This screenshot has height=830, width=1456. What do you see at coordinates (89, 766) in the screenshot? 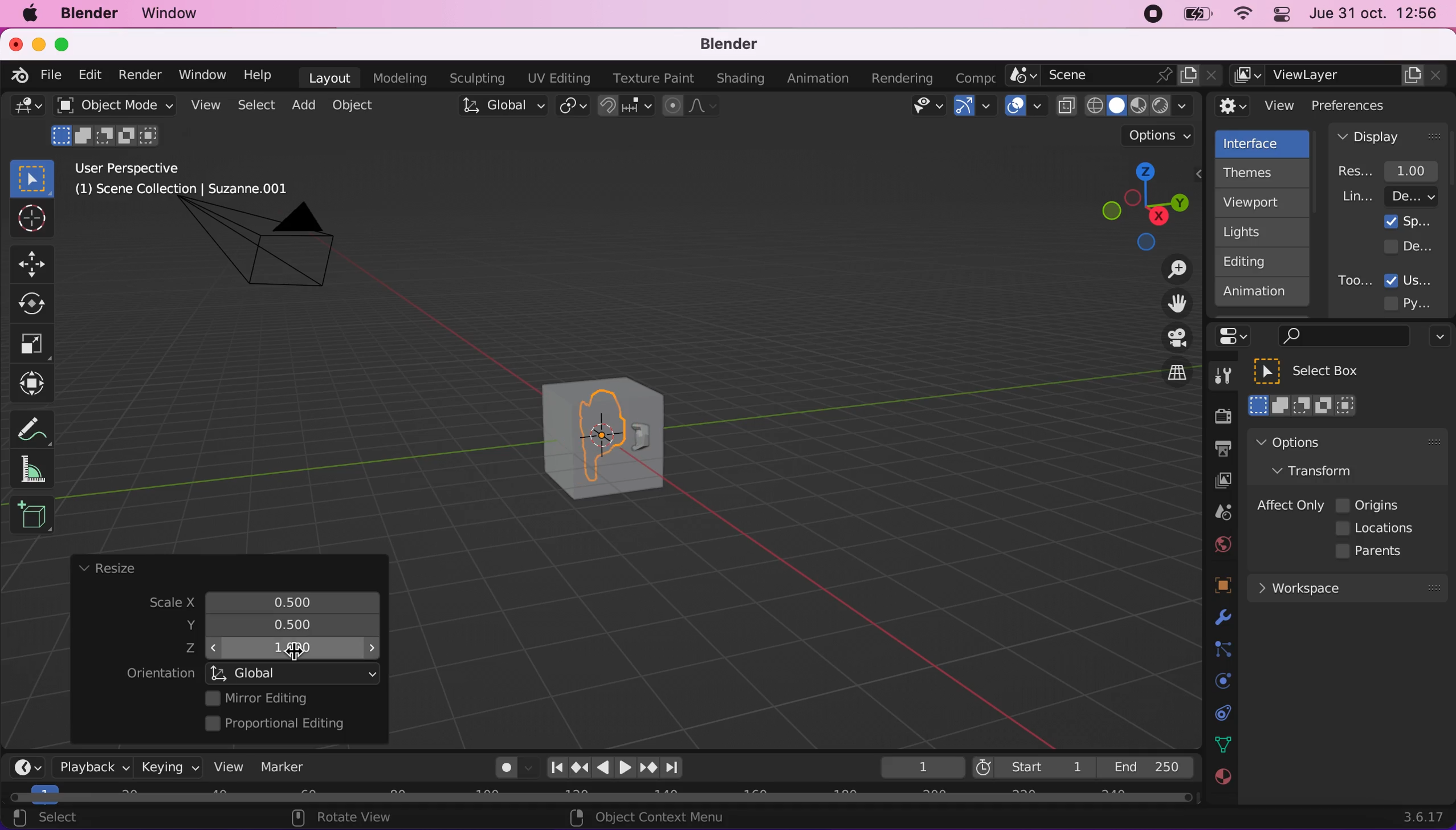
I see `playback` at bounding box center [89, 766].